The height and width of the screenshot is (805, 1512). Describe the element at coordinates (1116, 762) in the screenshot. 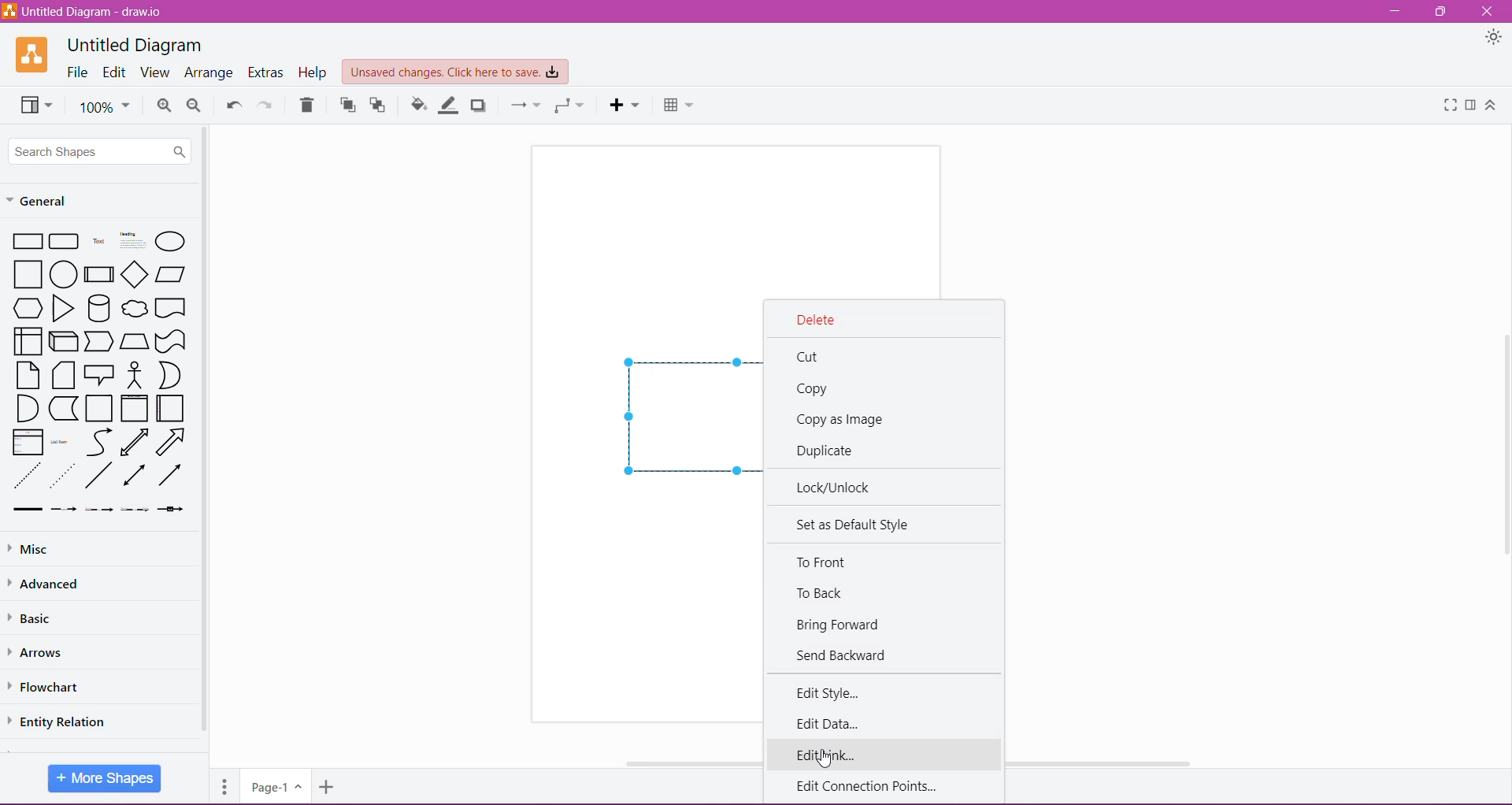

I see `Horizontal Scroll Bar` at that location.